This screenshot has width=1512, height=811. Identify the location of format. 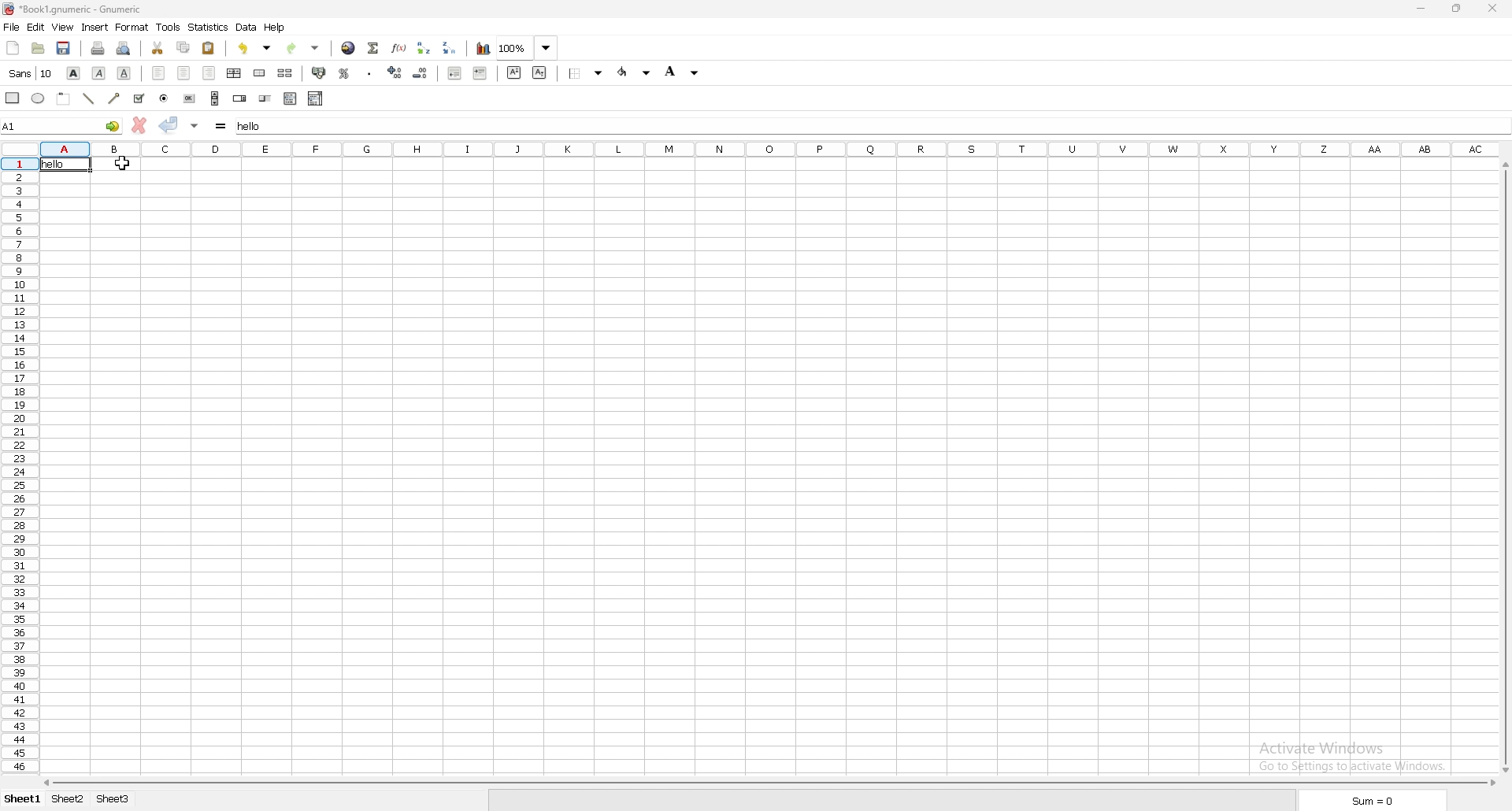
(132, 27).